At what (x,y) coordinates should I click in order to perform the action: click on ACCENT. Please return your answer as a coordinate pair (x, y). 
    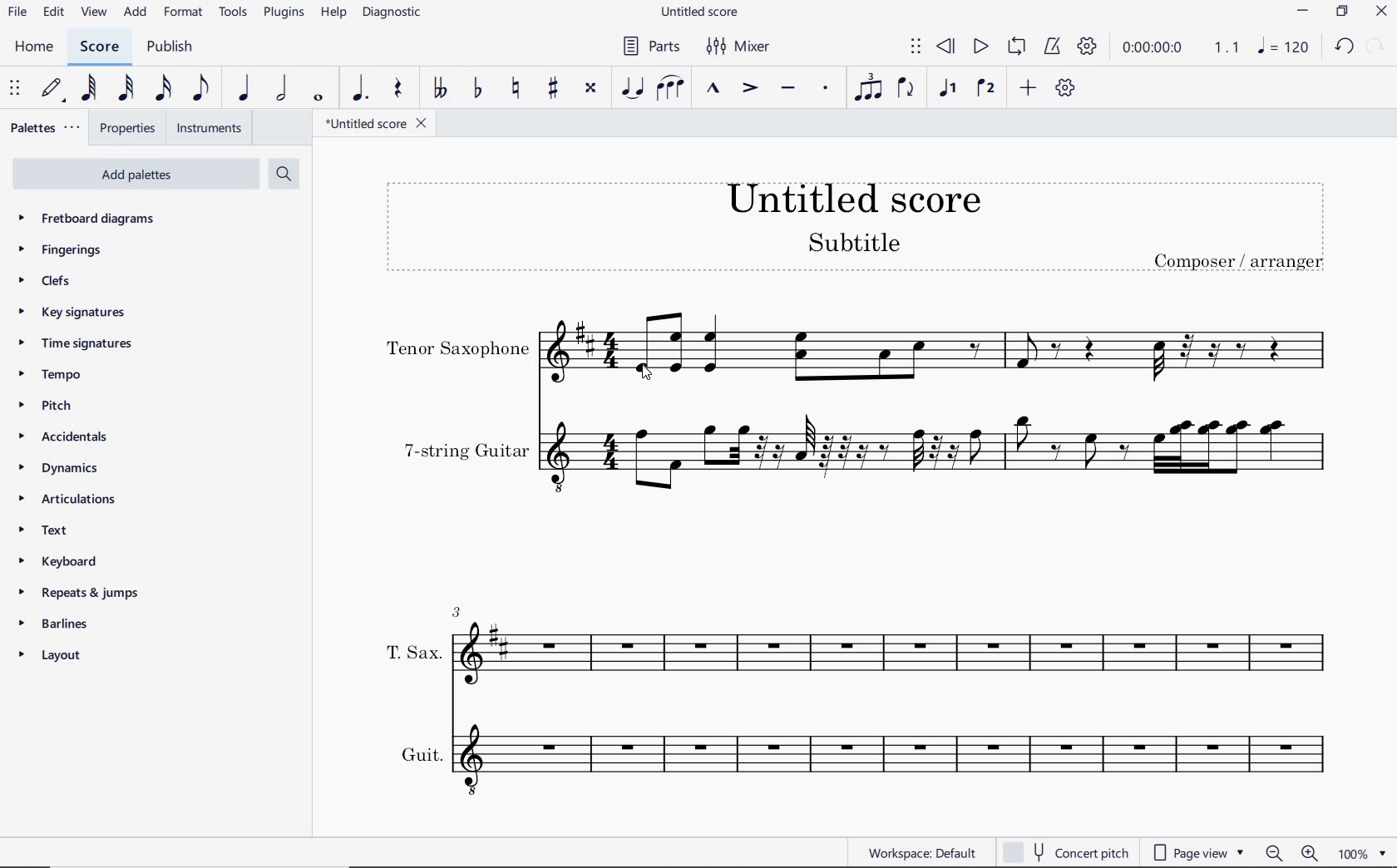
    Looking at the image, I should click on (748, 90).